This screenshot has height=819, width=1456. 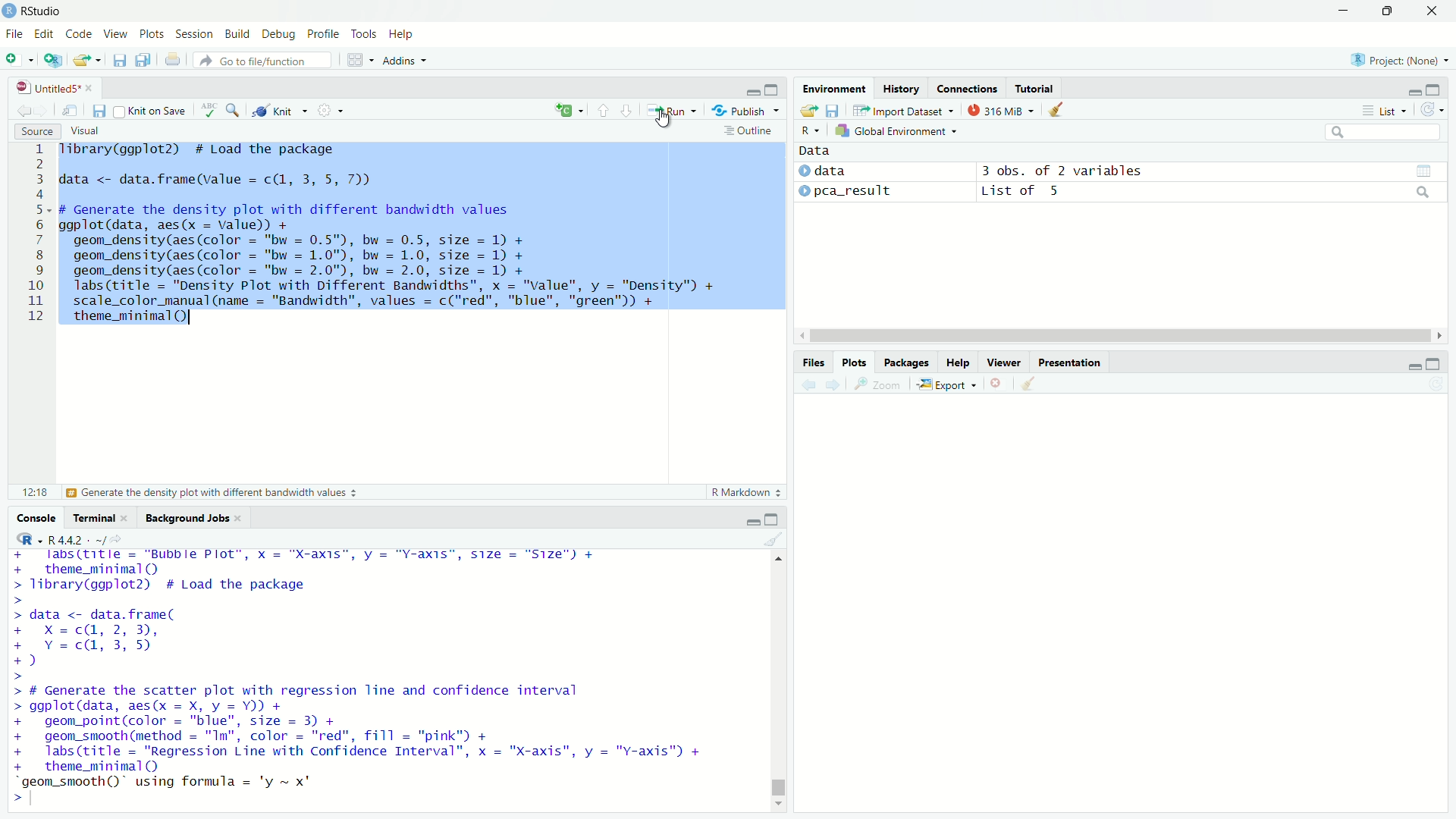 What do you see at coordinates (1383, 132) in the screenshot?
I see `Search` at bounding box center [1383, 132].